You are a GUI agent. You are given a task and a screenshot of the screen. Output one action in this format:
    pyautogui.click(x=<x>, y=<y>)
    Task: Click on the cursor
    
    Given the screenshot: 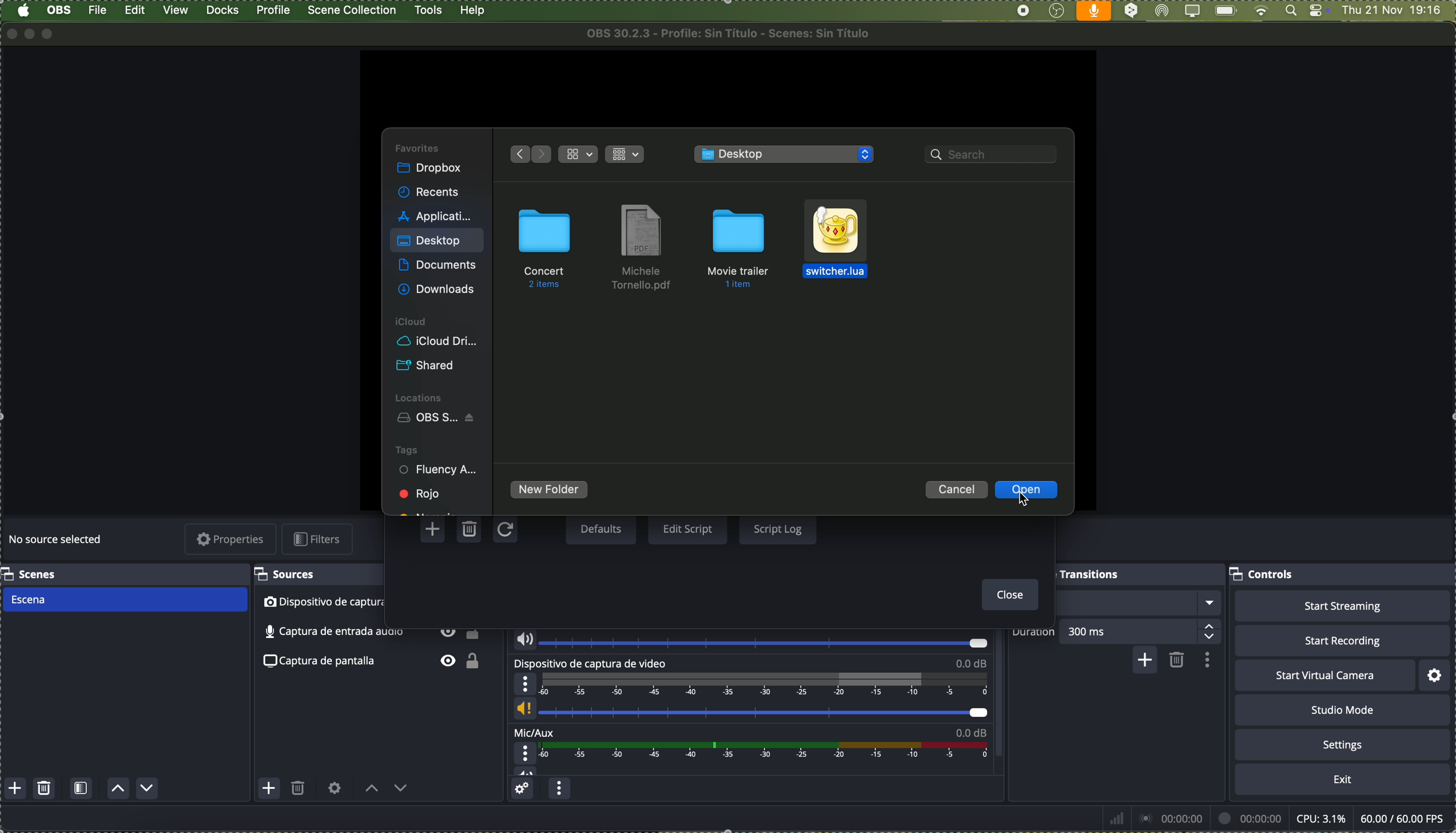 What is the action you would take?
    pyautogui.click(x=1023, y=501)
    